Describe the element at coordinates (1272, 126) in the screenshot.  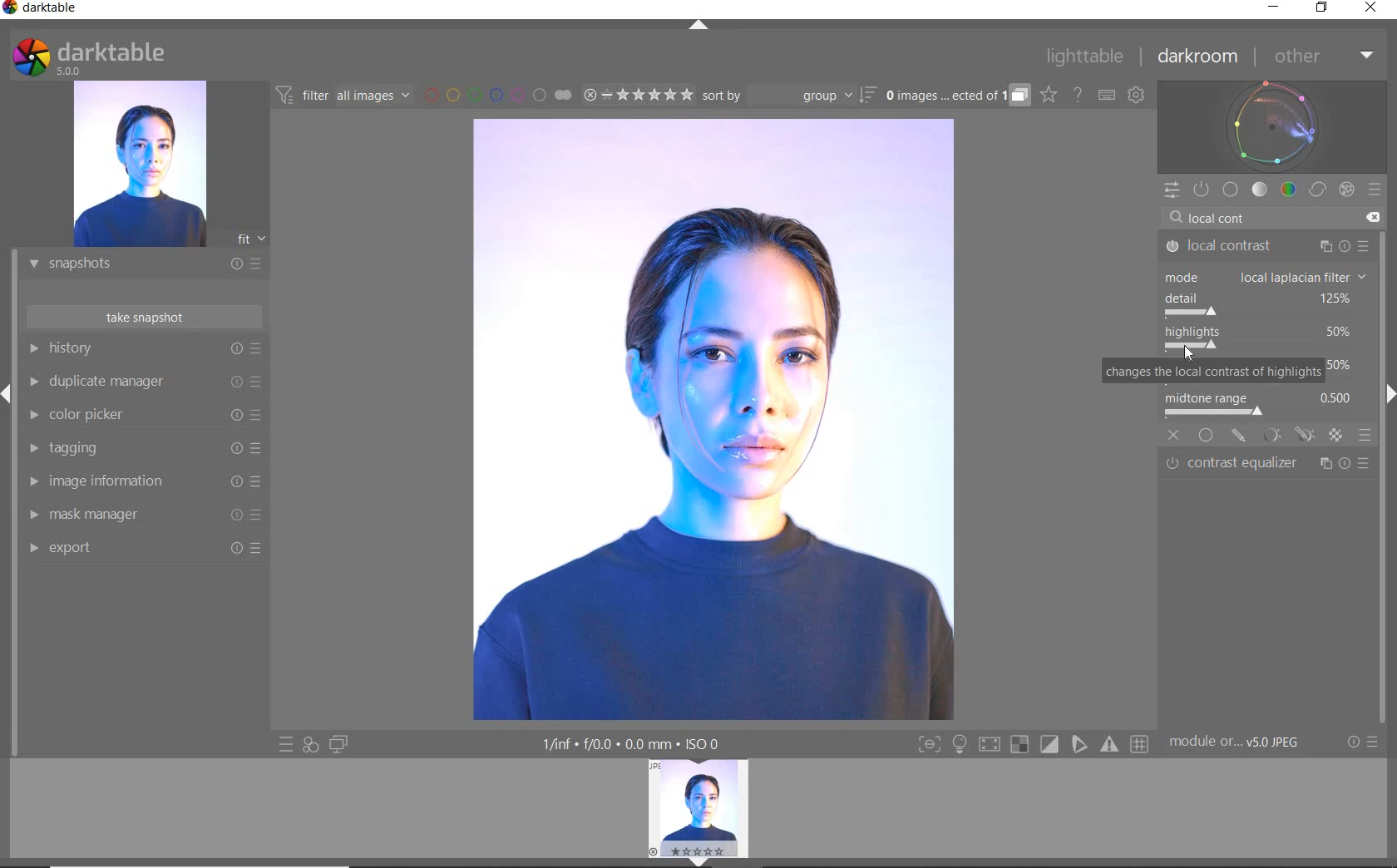
I see `WAVEFORM` at that location.